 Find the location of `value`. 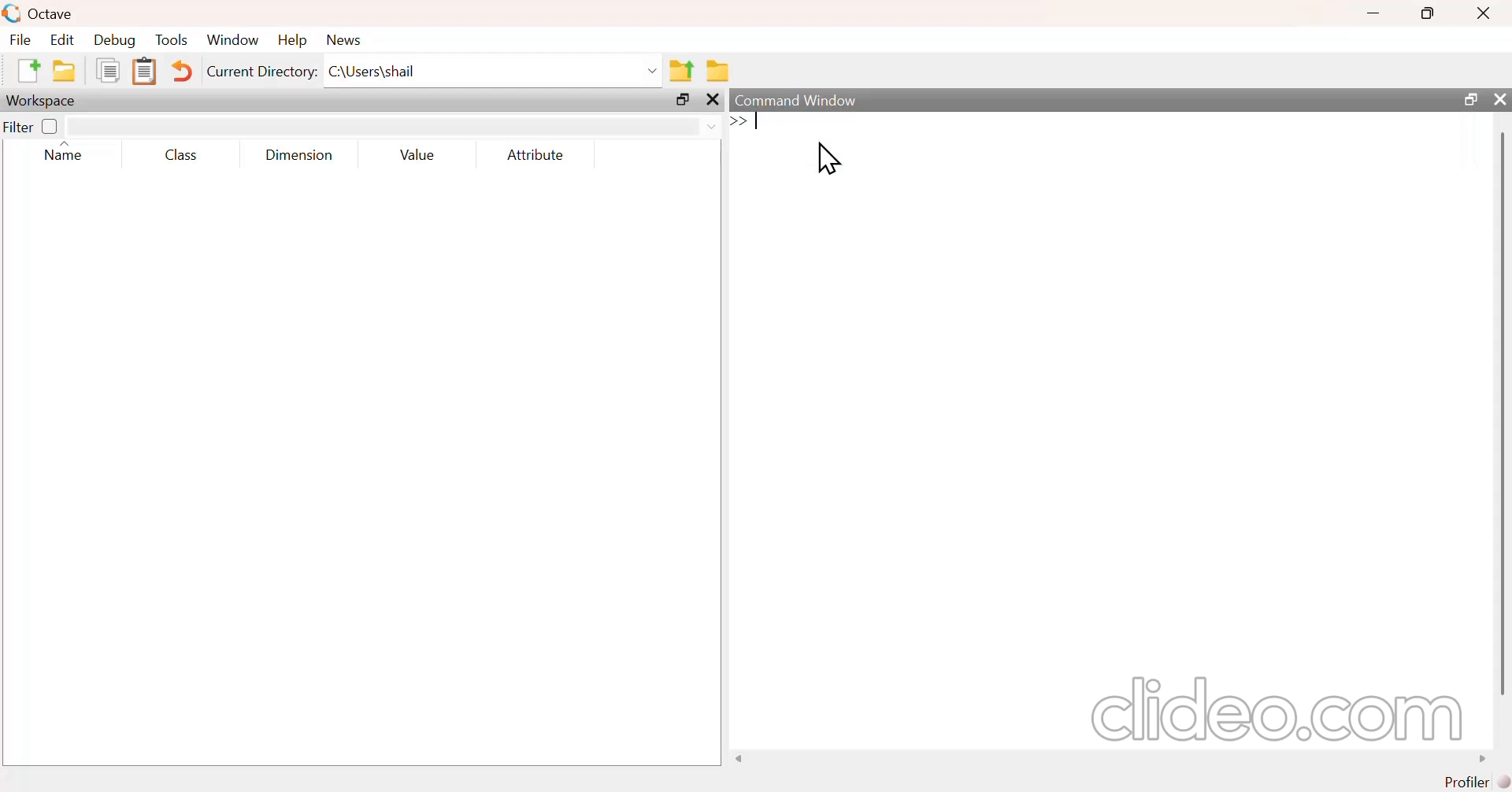

value is located at coordinates (415, 154).